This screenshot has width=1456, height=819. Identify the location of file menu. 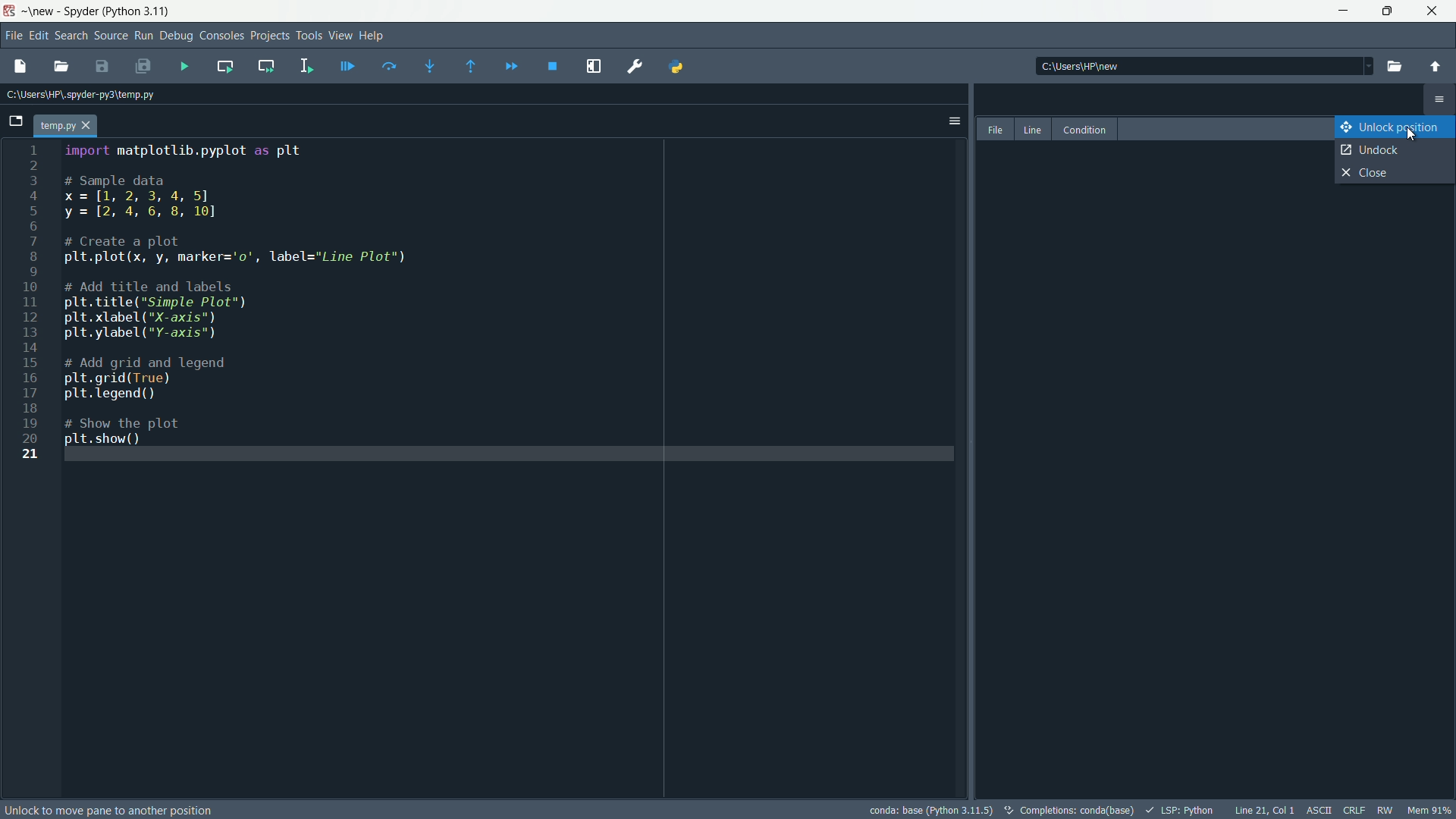
(12, 34).